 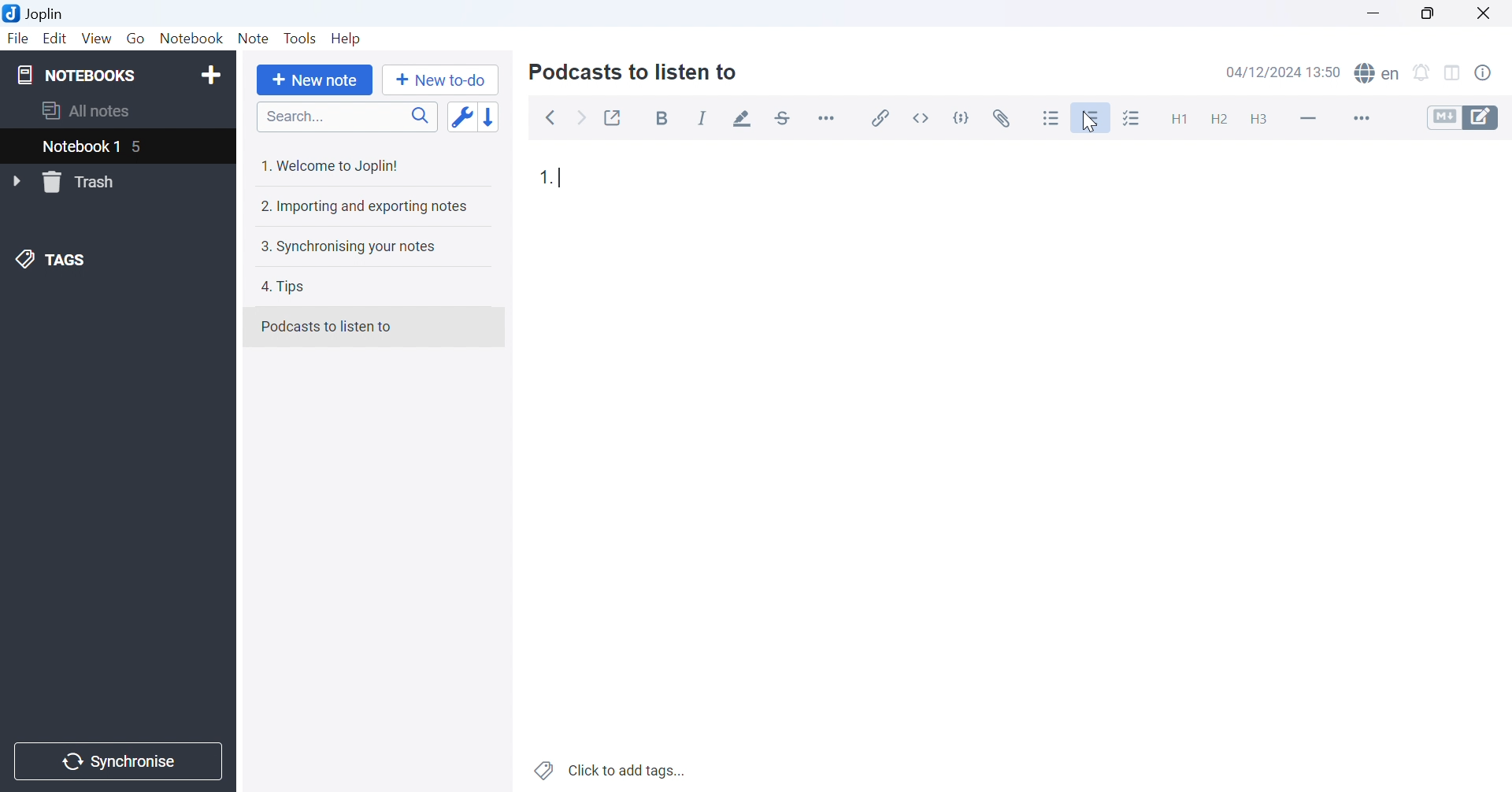 What do you see at coordinates (120, 762) in the screenshot?
I see `Synchronise` at bounding box center [120, 762].